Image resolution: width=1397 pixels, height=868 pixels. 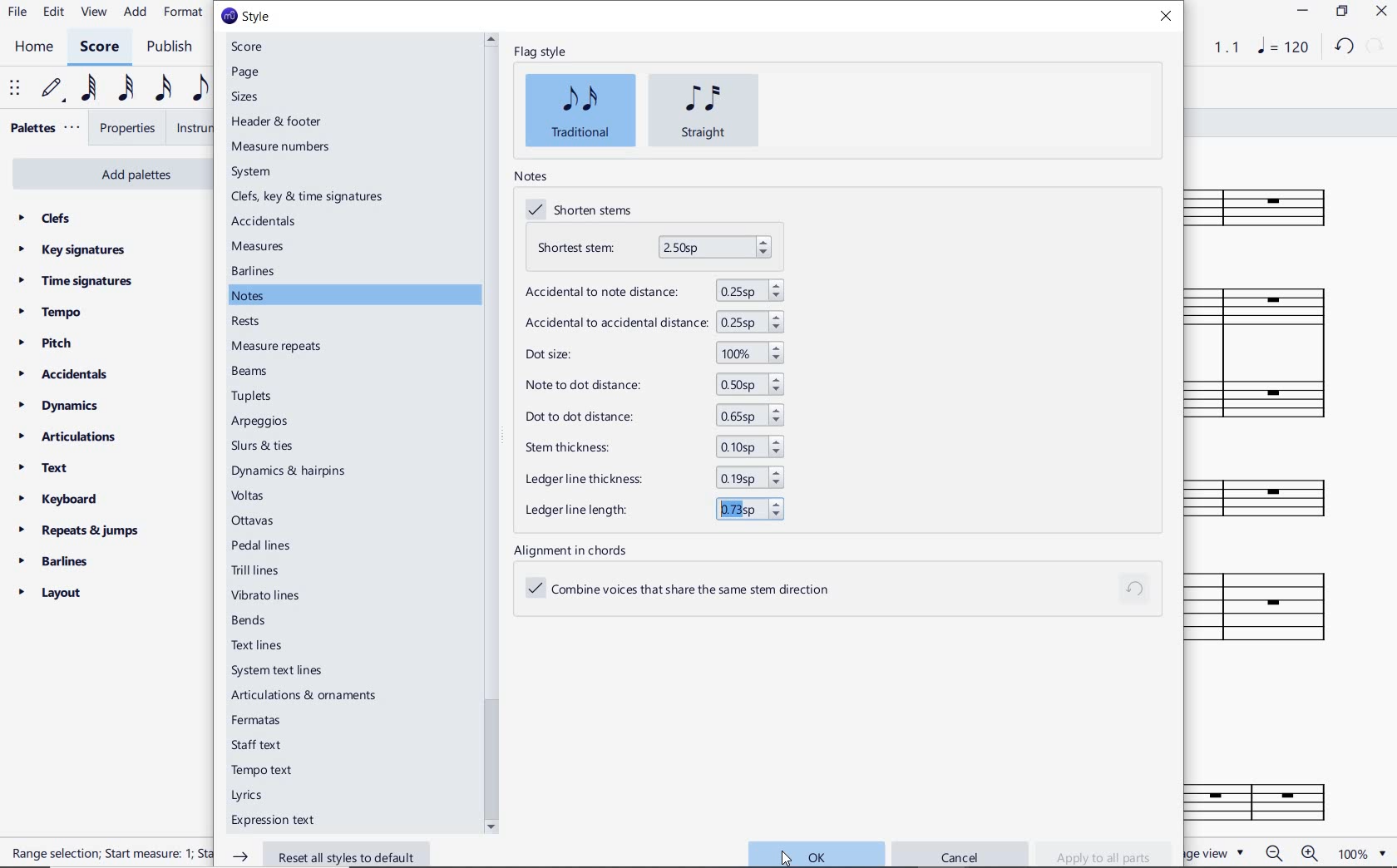 I want to click on layout, so click(x=51, y=593).